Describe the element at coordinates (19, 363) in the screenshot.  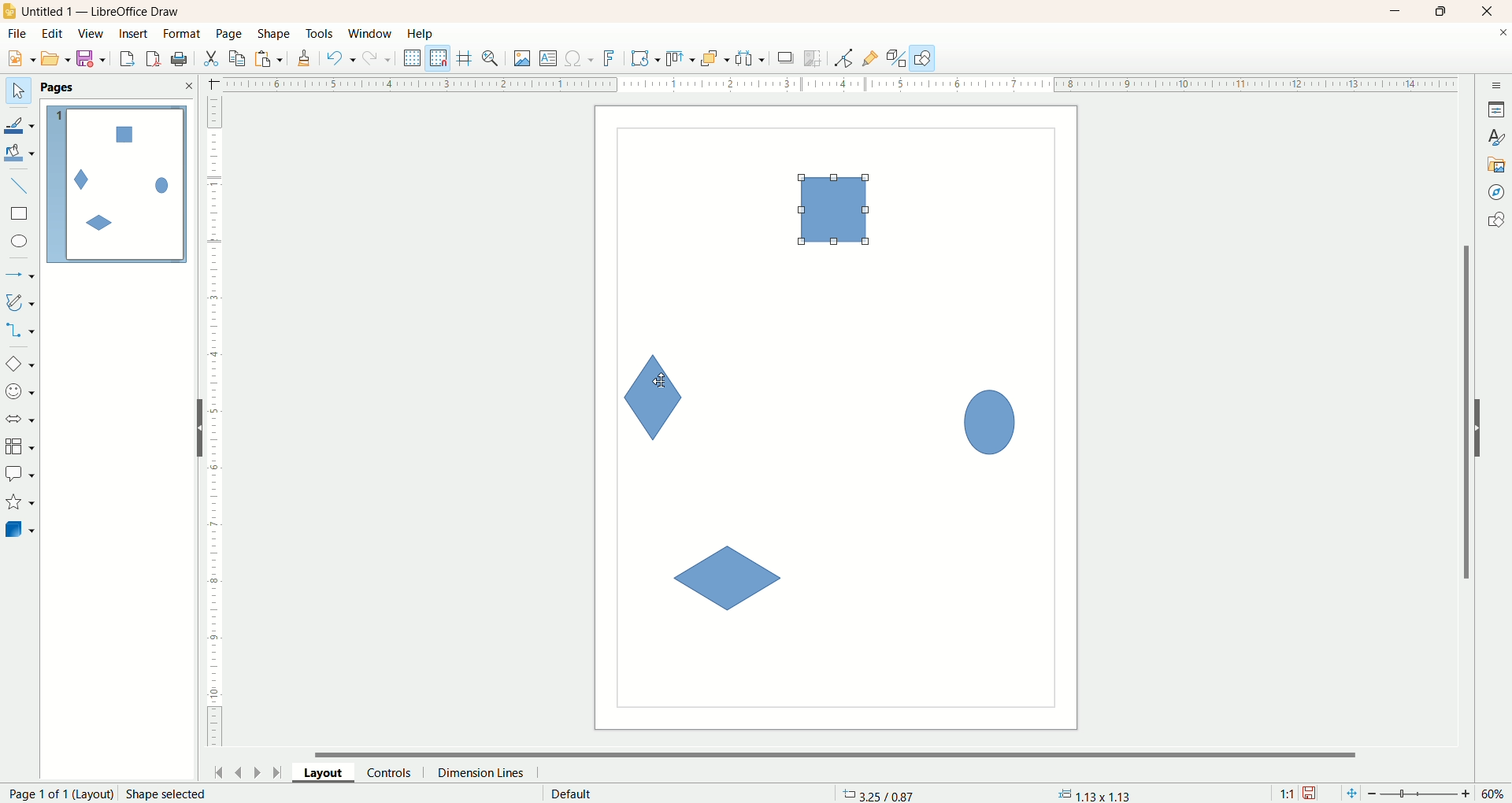
I see `basic shape` at that location.